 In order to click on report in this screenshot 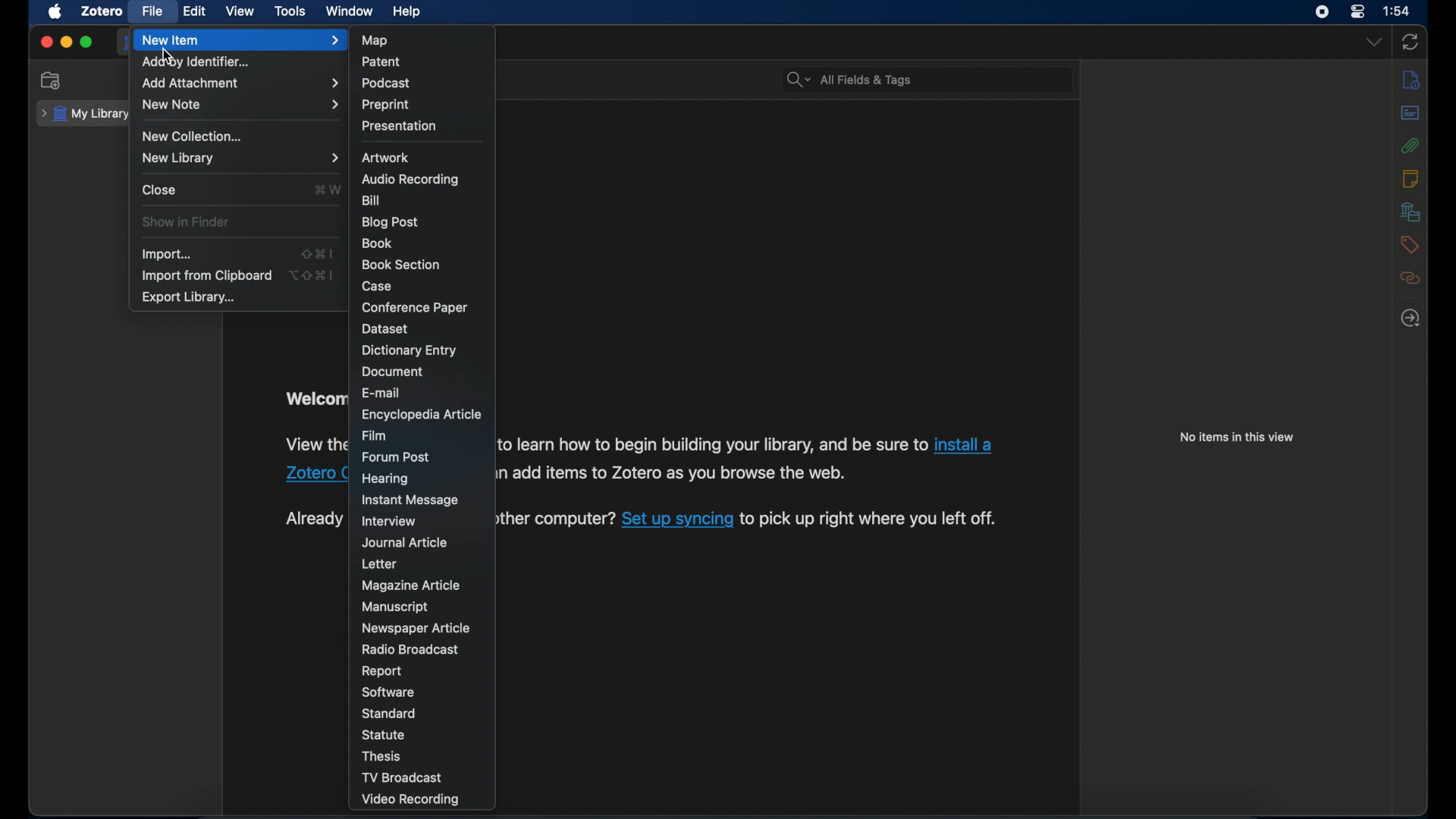, I will do `click(382, 670)`.